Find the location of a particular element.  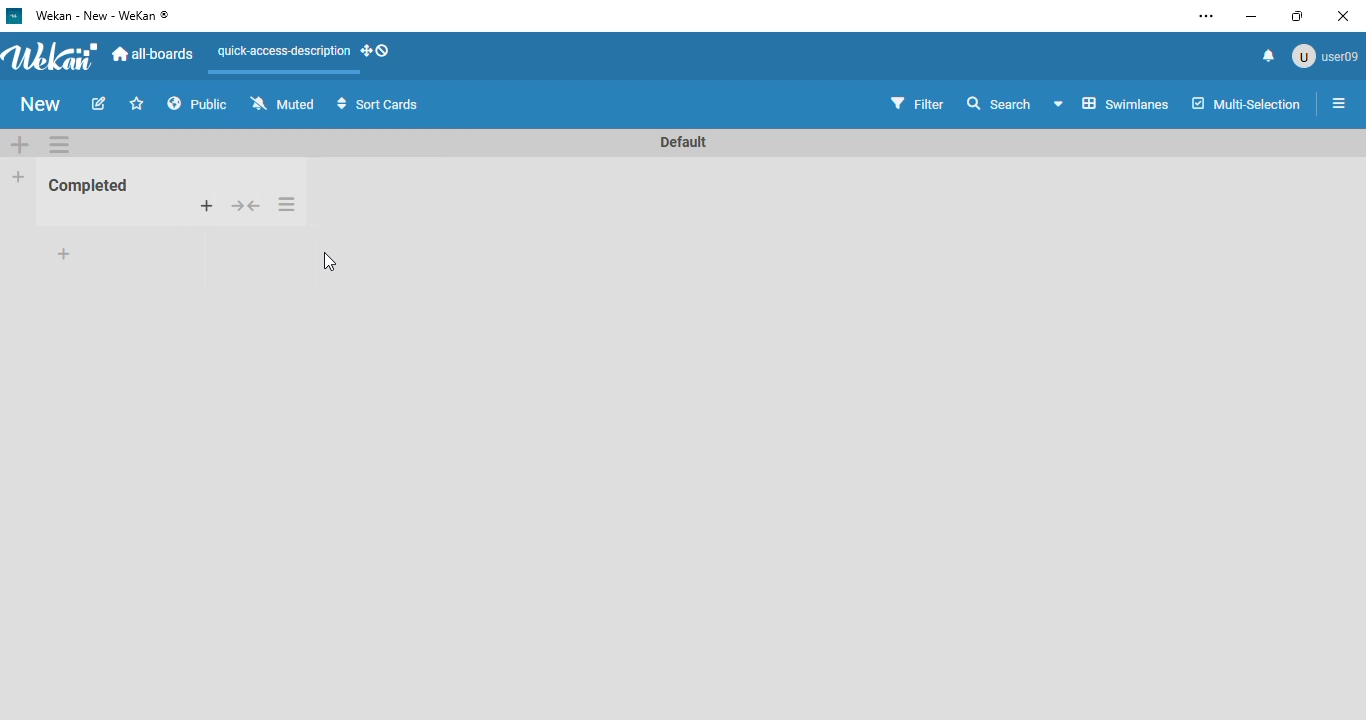

wekan is located at coordinates (53, 56).